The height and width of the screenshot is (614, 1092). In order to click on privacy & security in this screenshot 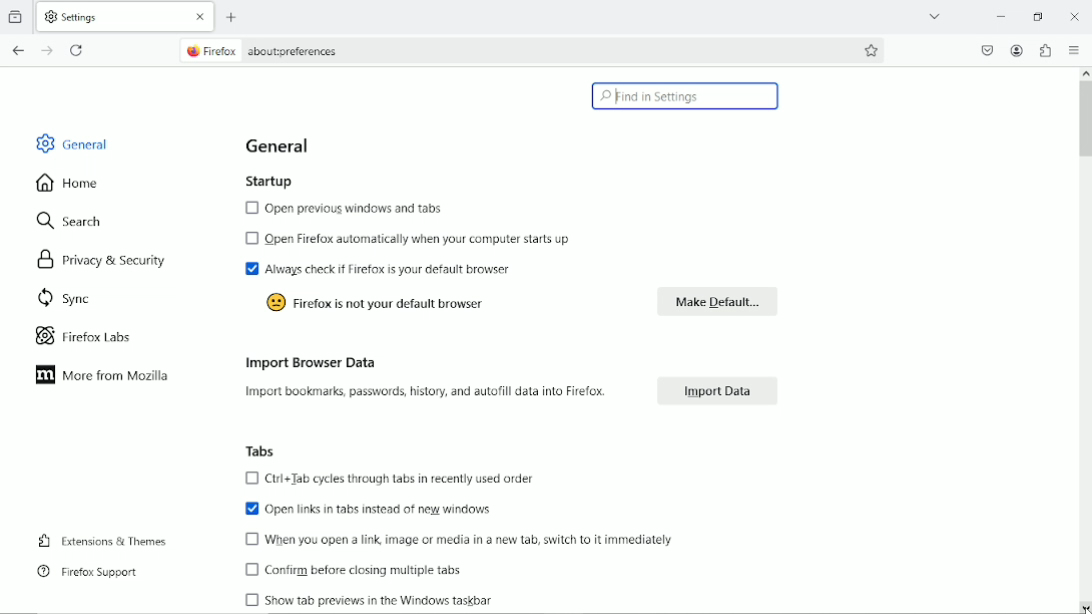, I will do `click(100, 262)`.